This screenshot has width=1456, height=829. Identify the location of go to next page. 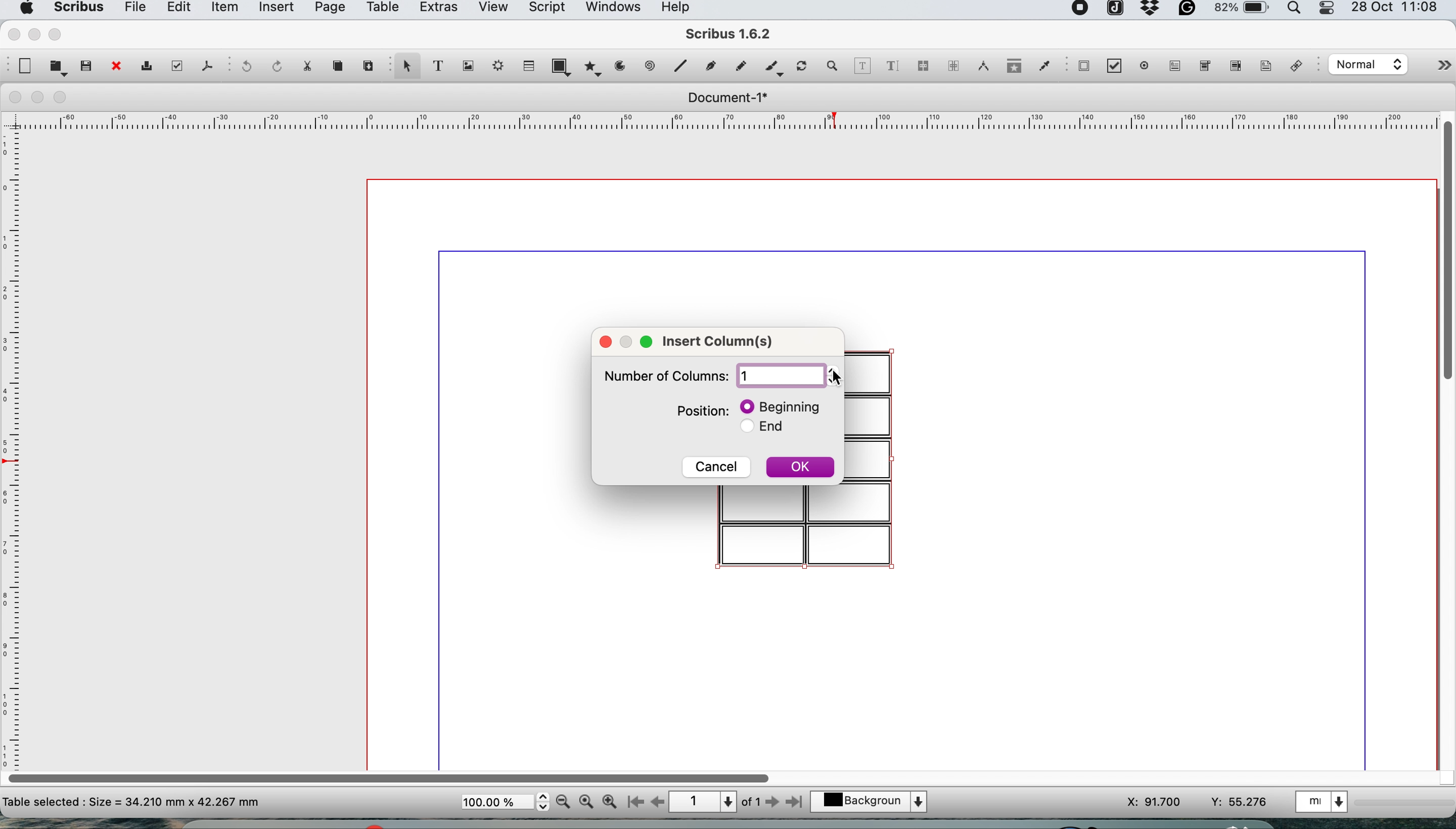
(772, 803).